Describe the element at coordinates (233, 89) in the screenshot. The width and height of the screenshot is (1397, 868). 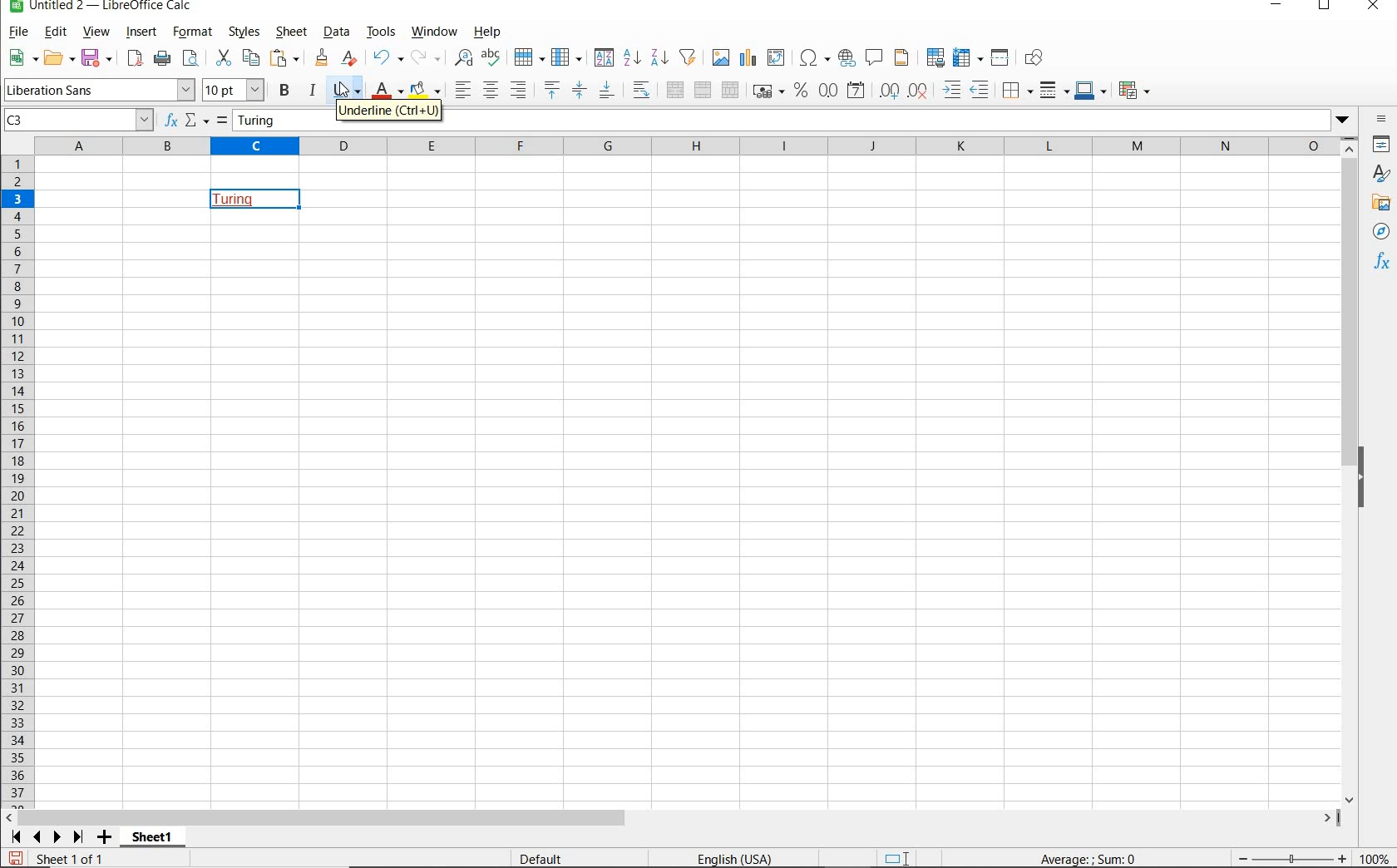
I see `FONT SIZE` at that location.